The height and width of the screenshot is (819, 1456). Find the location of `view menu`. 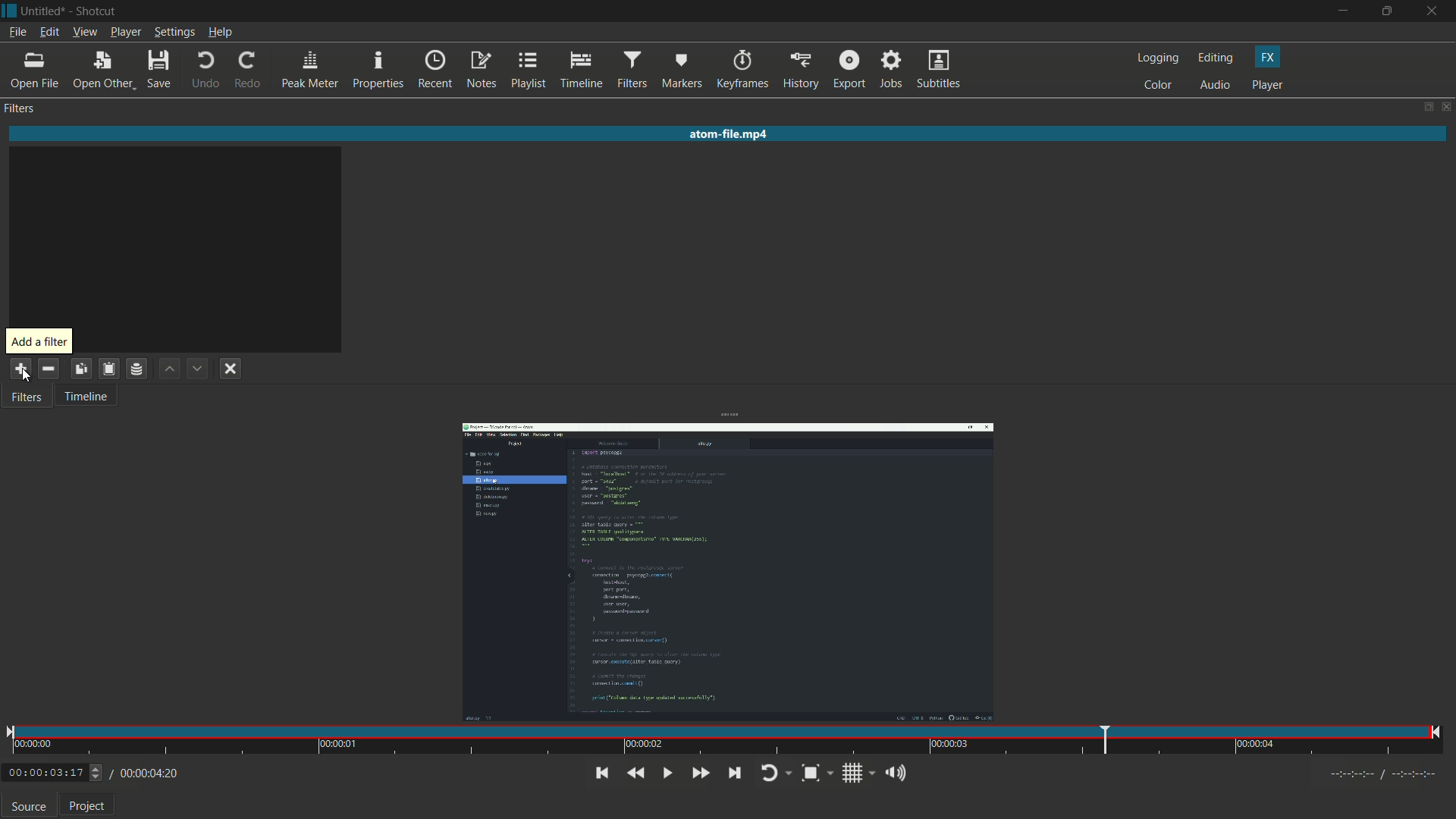

view menu is located at coordinates (84, 32).